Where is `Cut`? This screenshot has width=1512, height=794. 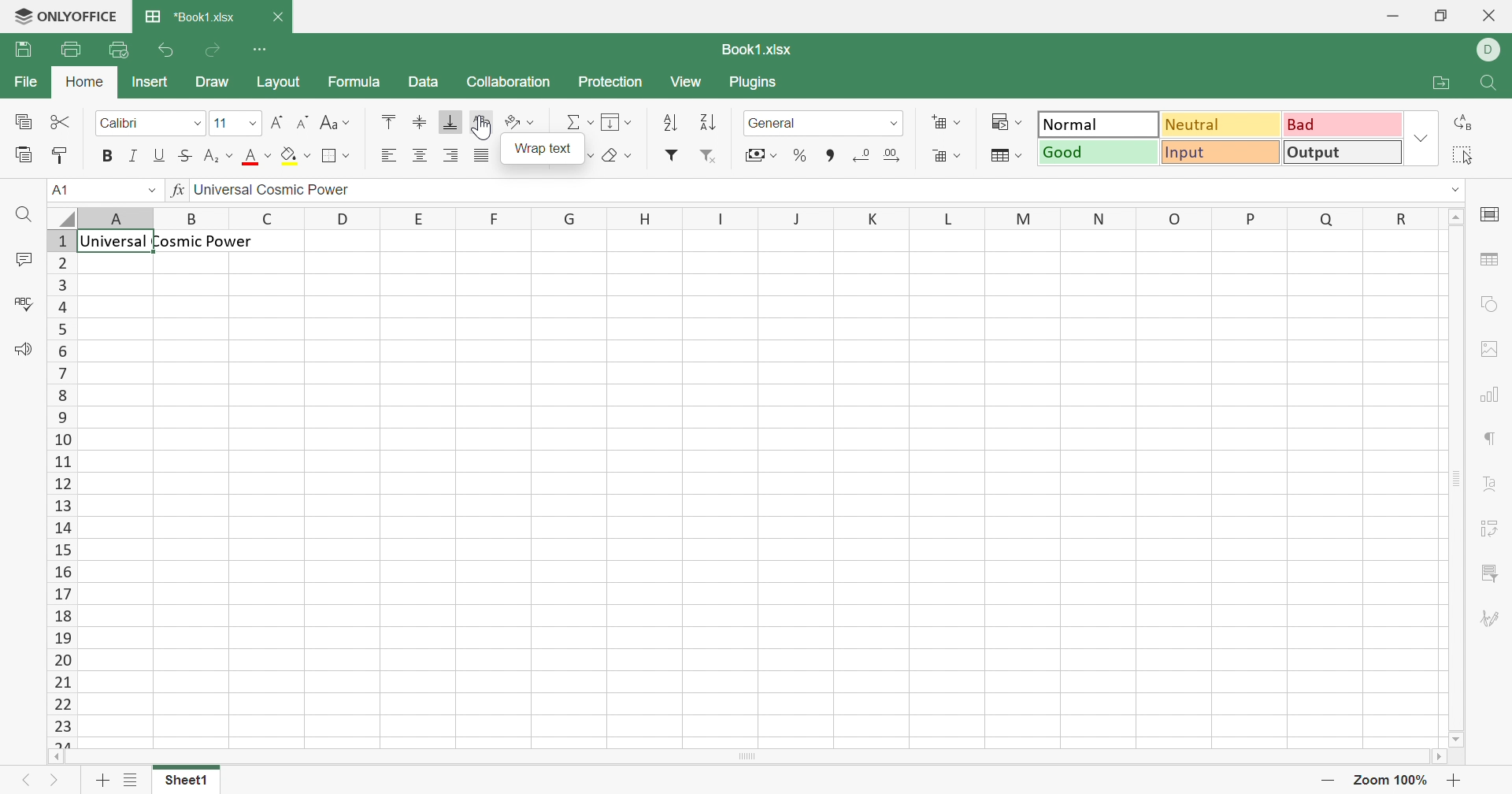
Cut is located at coordinates (63, 122).